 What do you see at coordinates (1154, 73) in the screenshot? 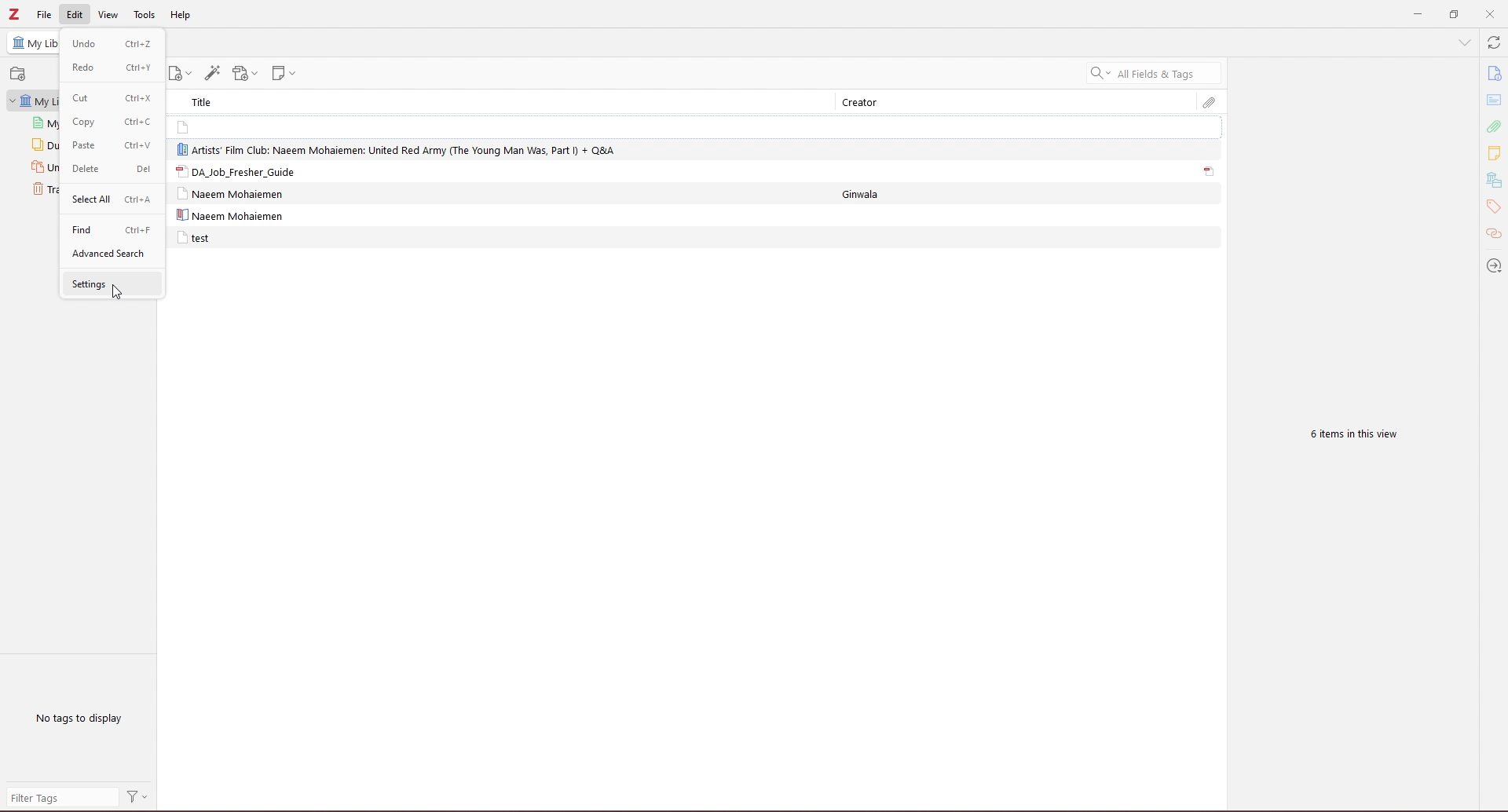
I see `search bar` at bounding box center [1154, 73].